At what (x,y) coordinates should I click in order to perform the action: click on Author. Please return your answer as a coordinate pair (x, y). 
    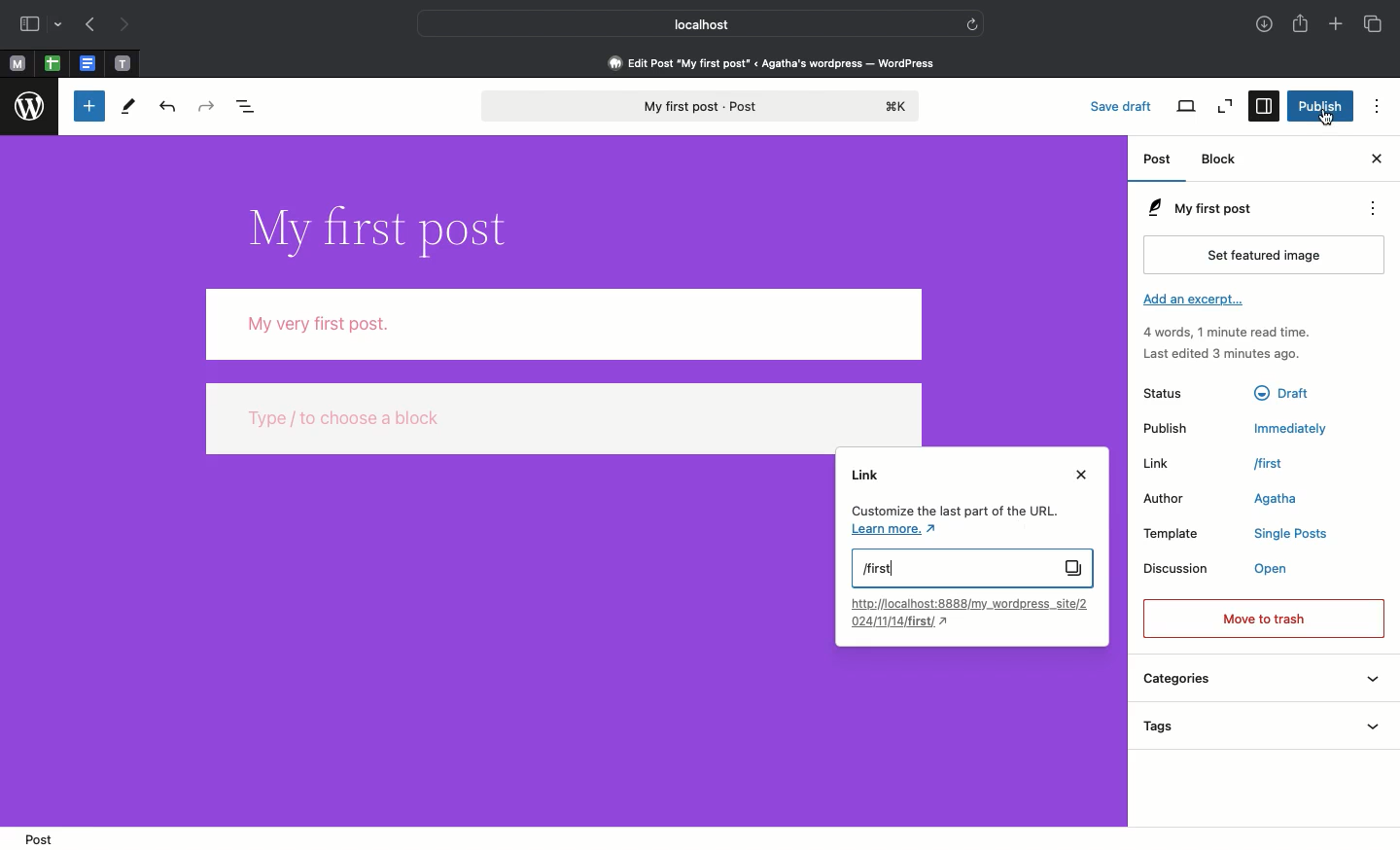
    Looking at the image, I should click on (1161, 498).